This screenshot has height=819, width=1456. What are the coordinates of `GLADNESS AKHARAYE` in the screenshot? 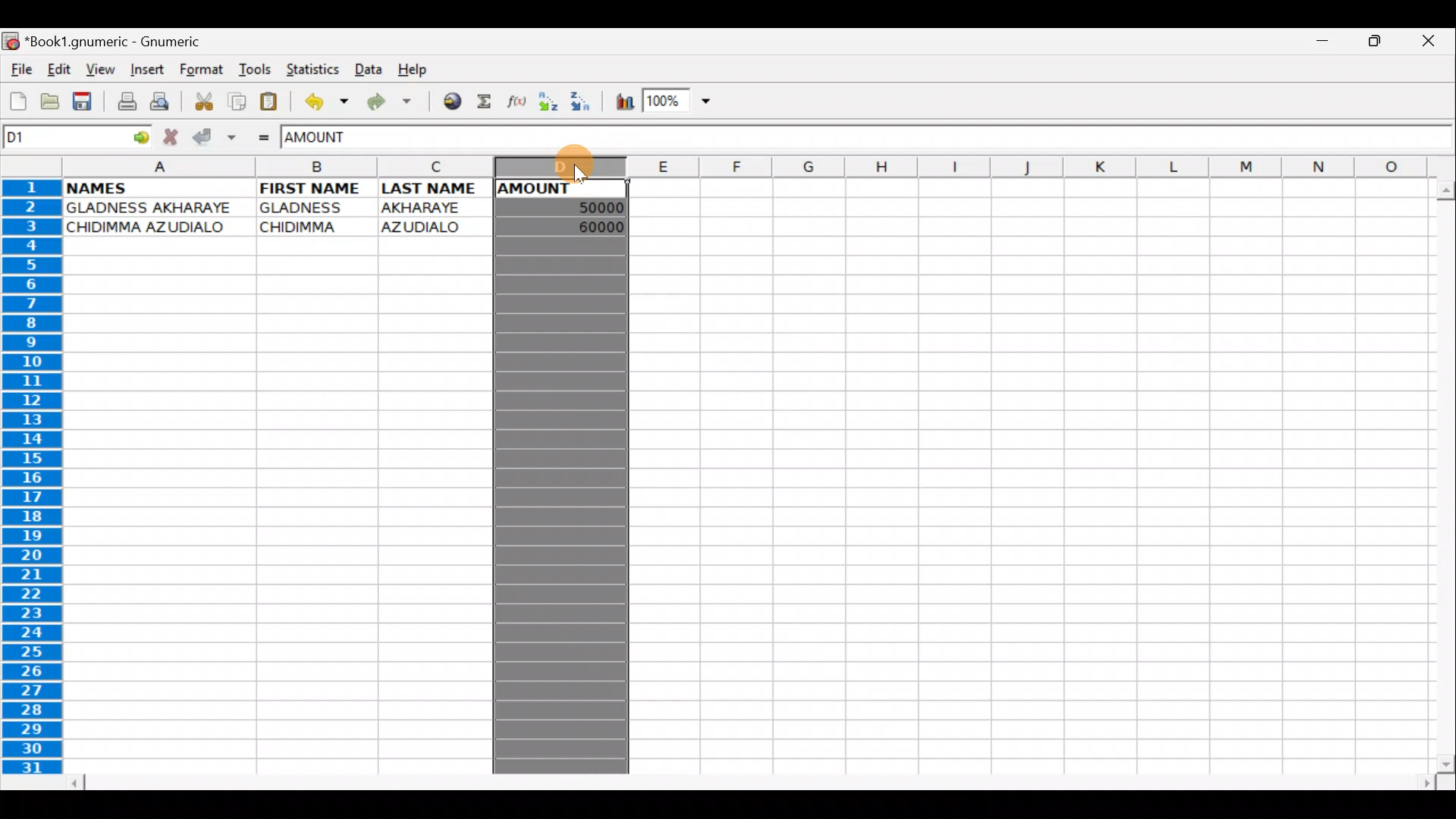 It's located at (155, 207).